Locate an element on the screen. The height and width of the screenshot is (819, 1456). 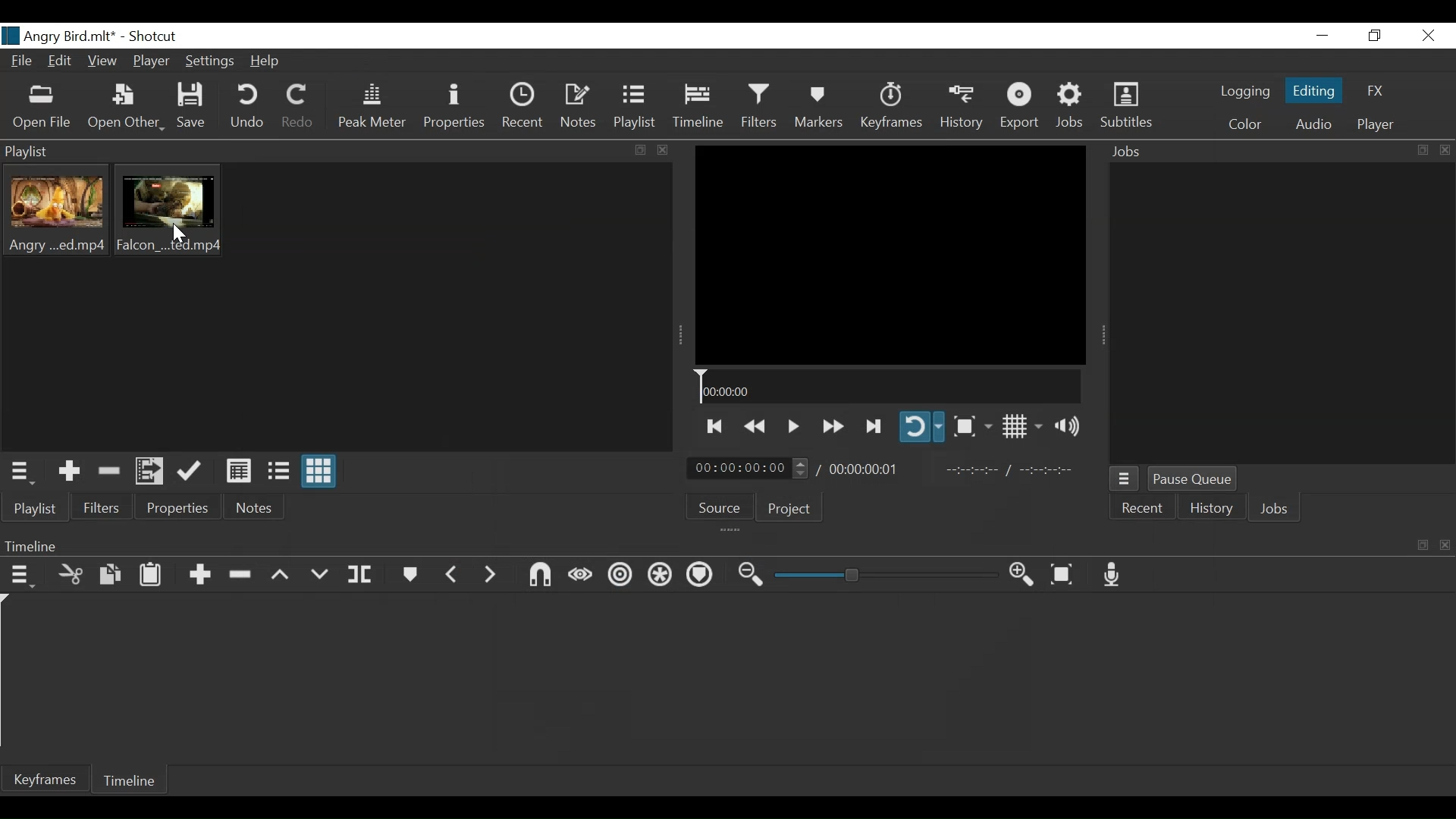
View as files is located at coordinates (278, 472).